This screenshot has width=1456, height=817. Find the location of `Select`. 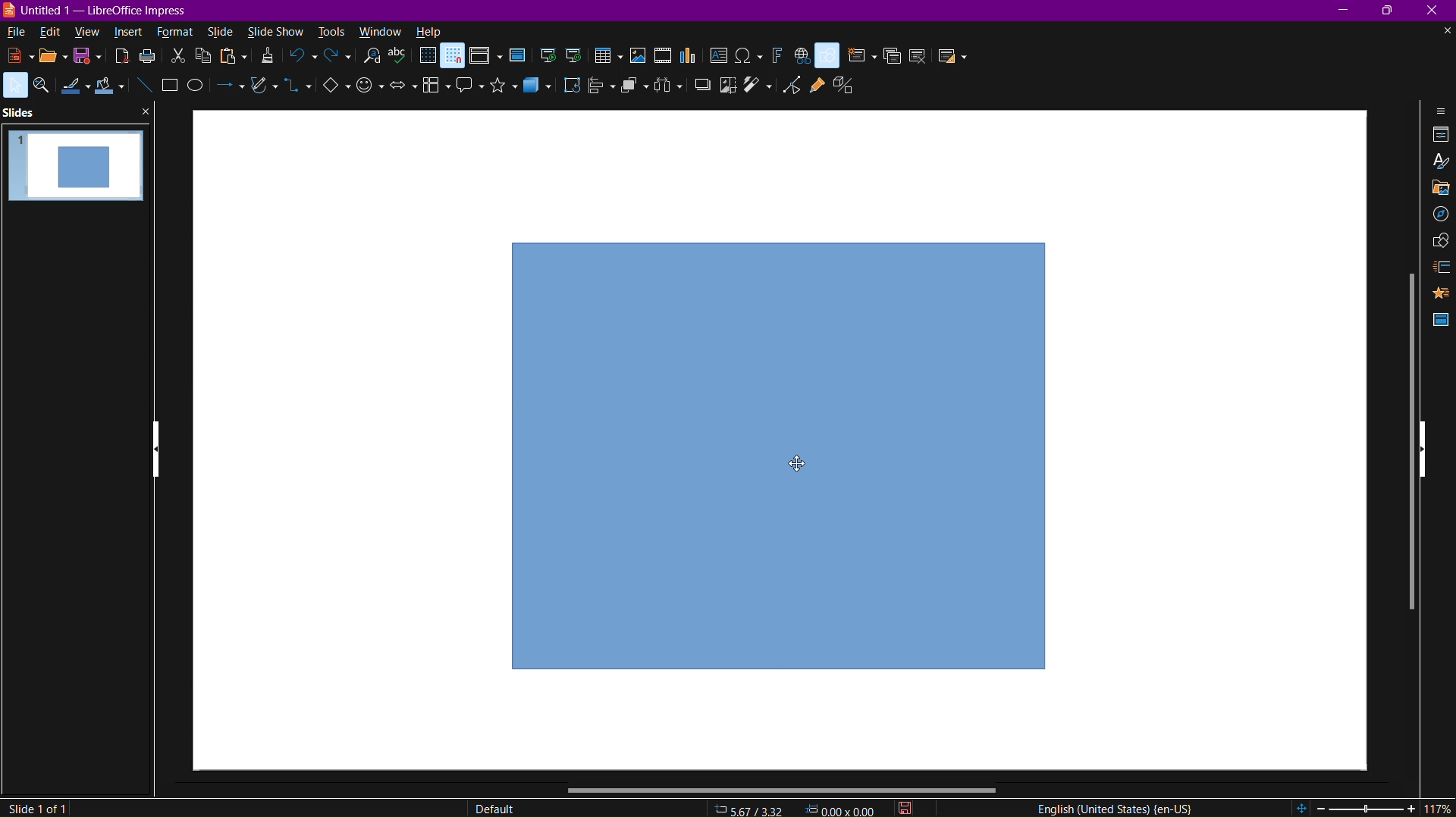

Select is located at coordinates (14, 86).